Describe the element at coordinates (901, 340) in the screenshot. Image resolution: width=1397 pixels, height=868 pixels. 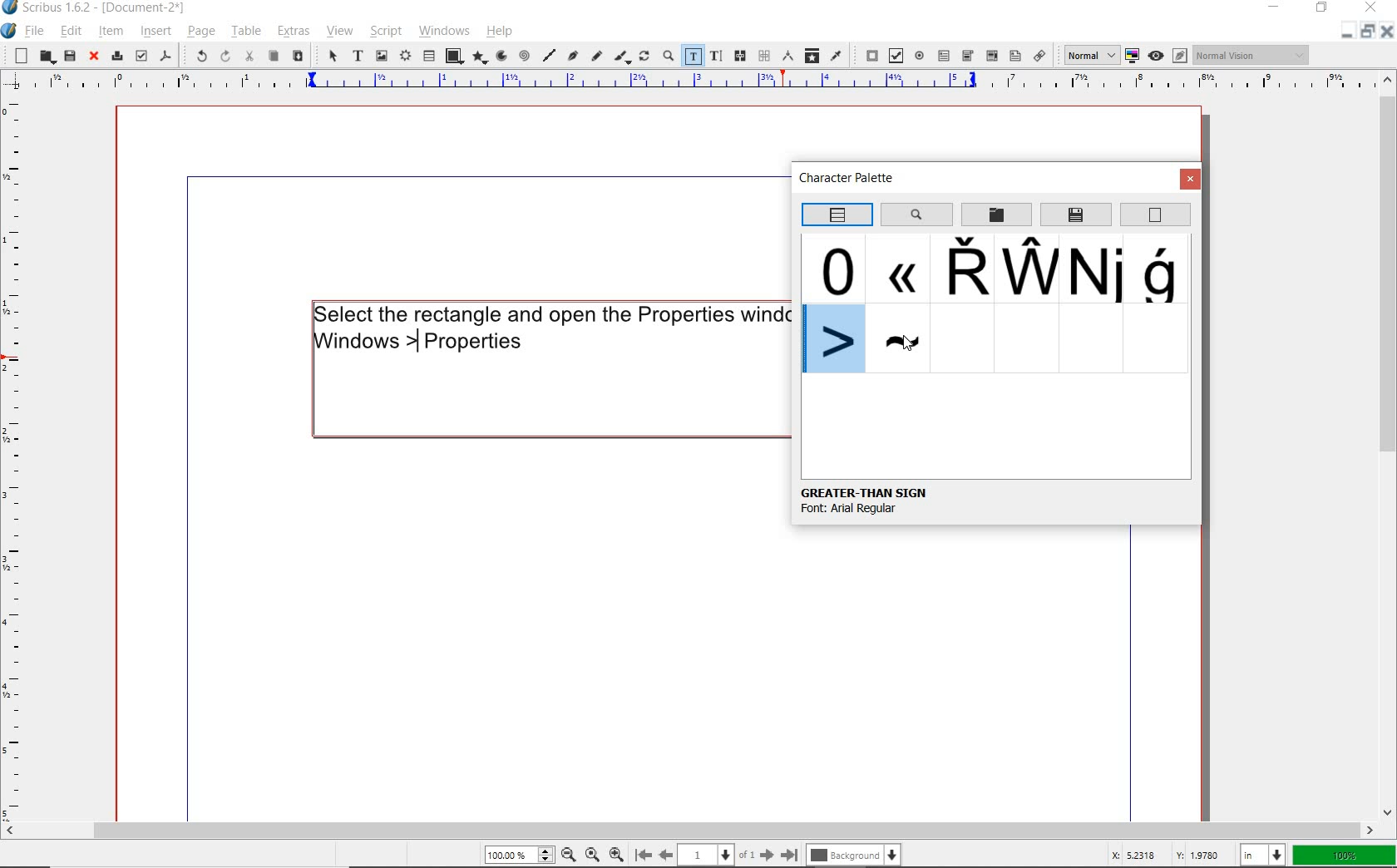
I see `Unicode 007e` at that location.